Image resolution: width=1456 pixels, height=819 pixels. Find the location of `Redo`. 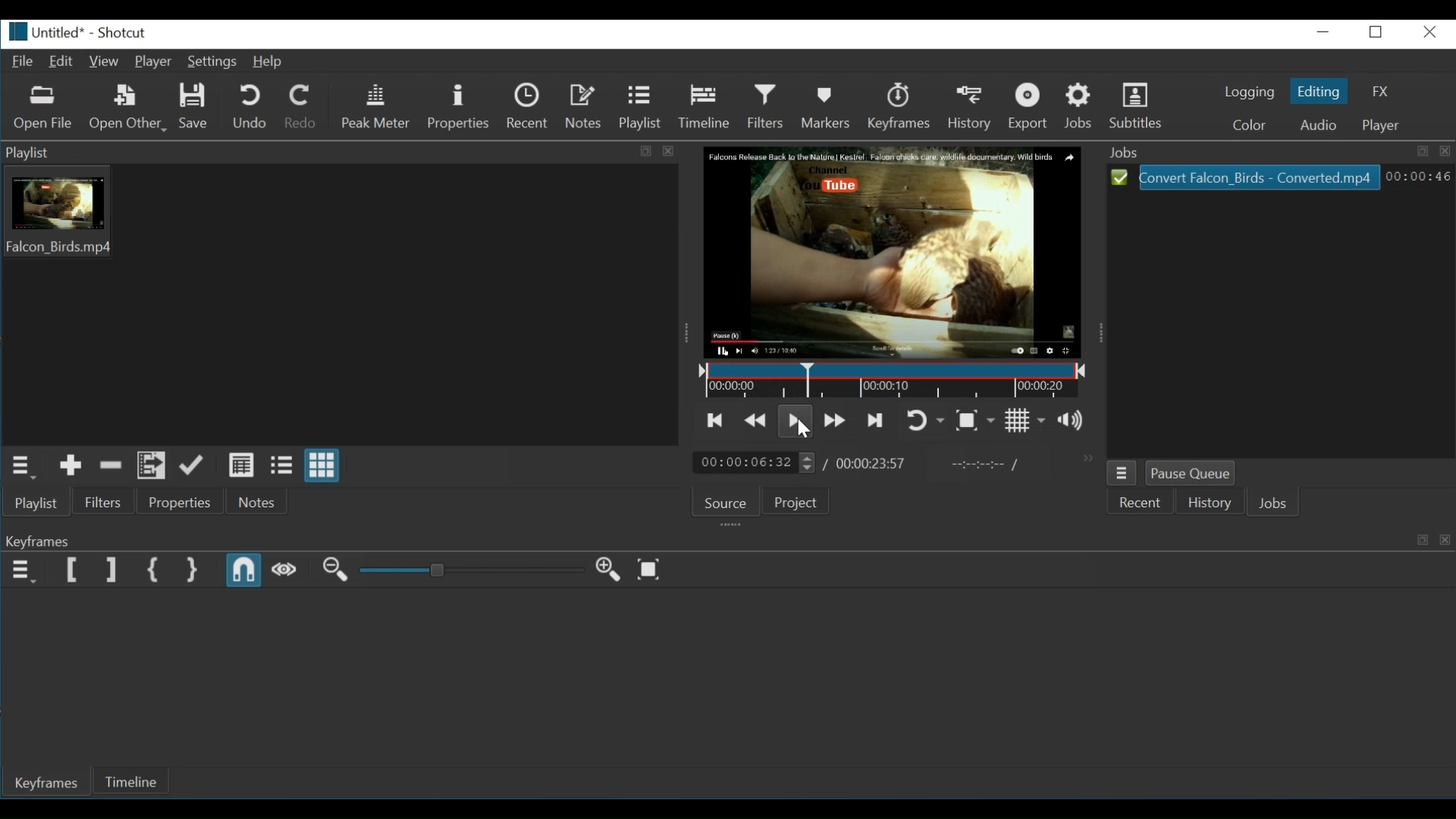

Redo is located at coordinates (303, 107).